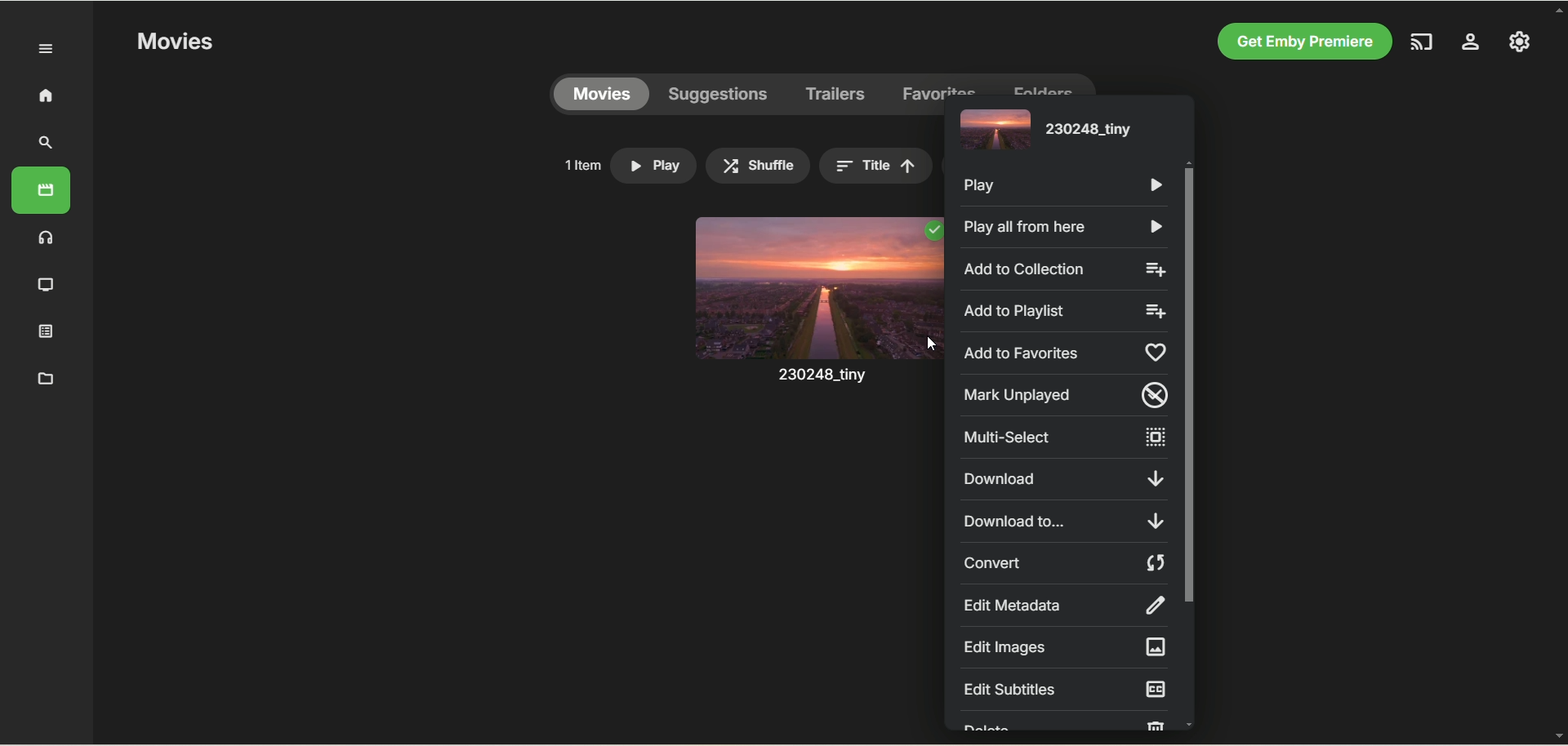  What do you see at coordinates (1062, 479) in the screenshot?
I see `download` at bounding box center [1062, 479].